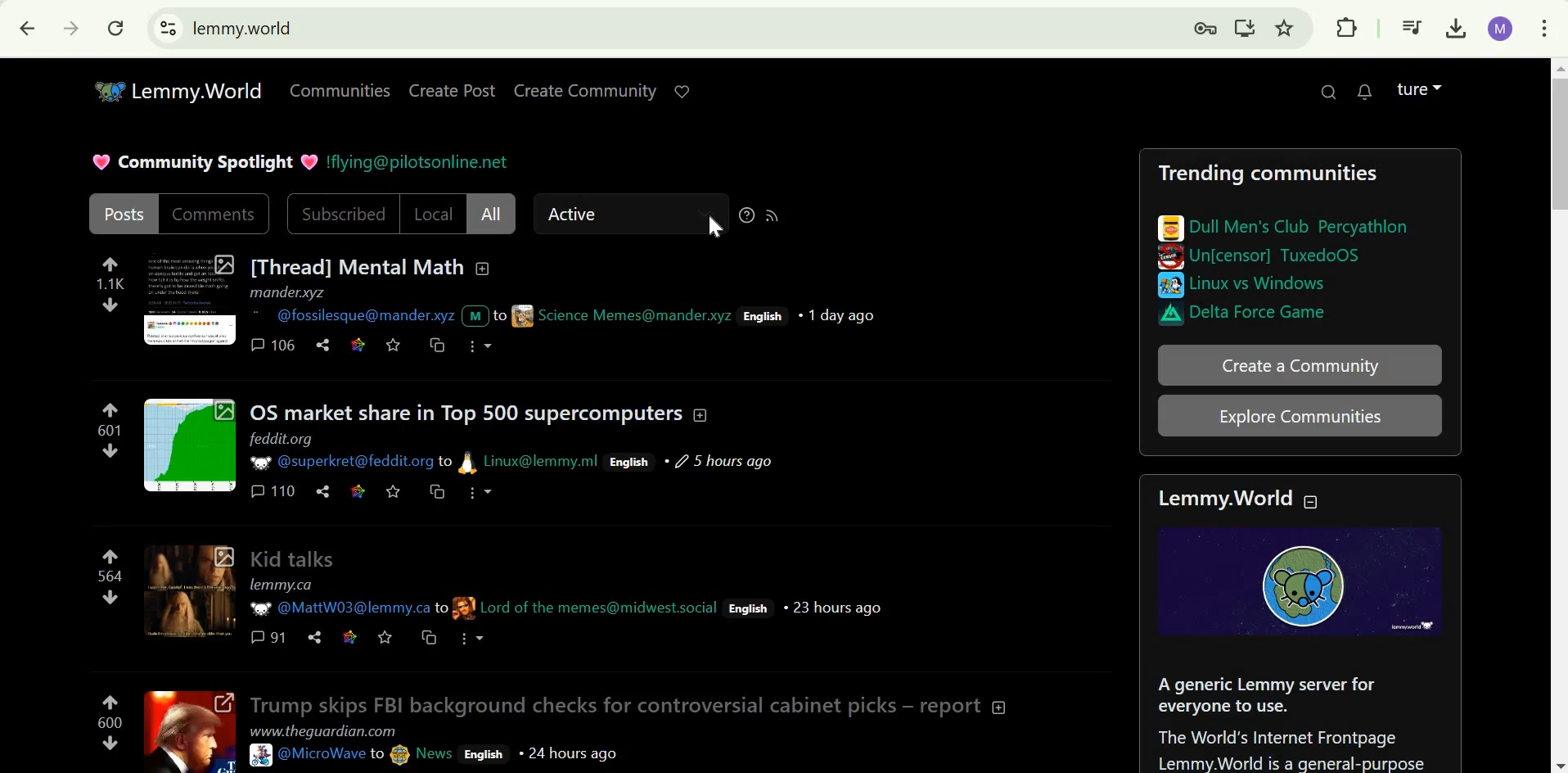 The height and width of the screenshot is (773, 1568). What do you see at coordinates (434, 490) in the screenshot?
I see `cross-post` at bounding box center [434, 490].